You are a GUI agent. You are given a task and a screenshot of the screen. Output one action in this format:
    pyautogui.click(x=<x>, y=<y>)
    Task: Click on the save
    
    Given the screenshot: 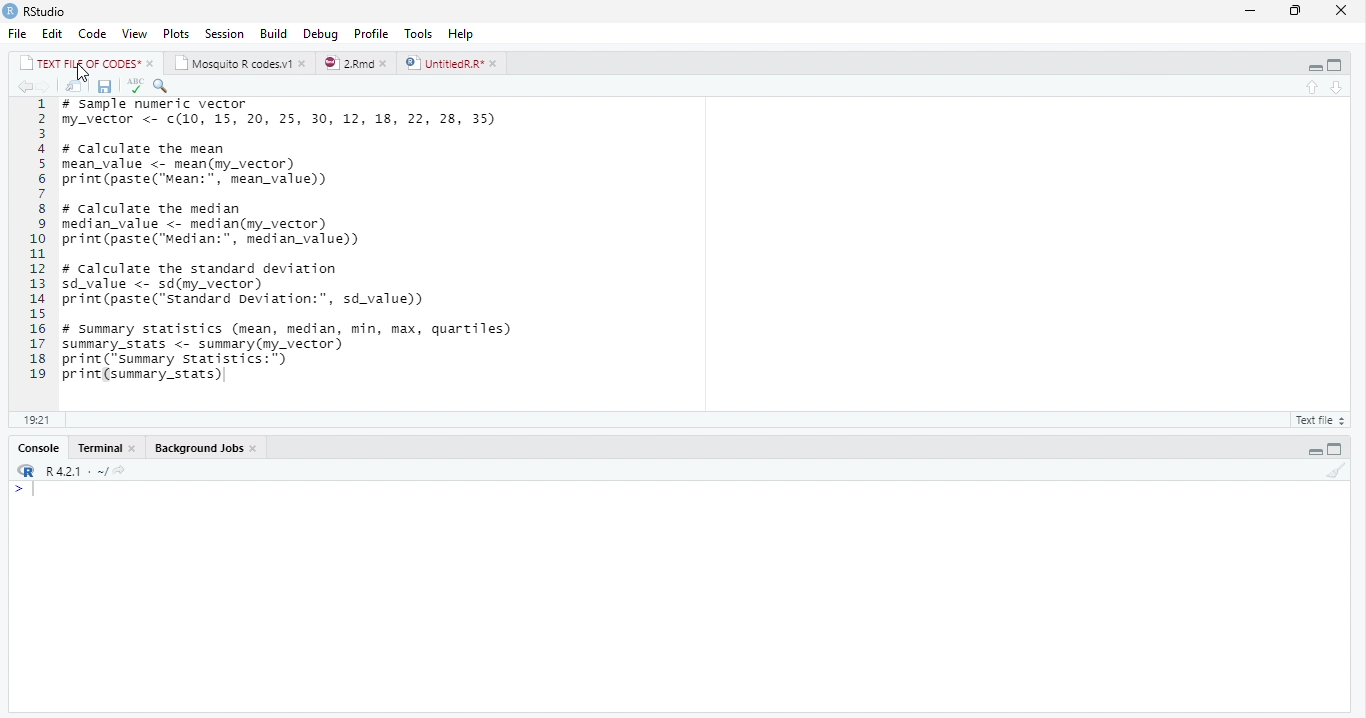 What is the action you would take?
    pyautogui.click(x=106, y=87)
    